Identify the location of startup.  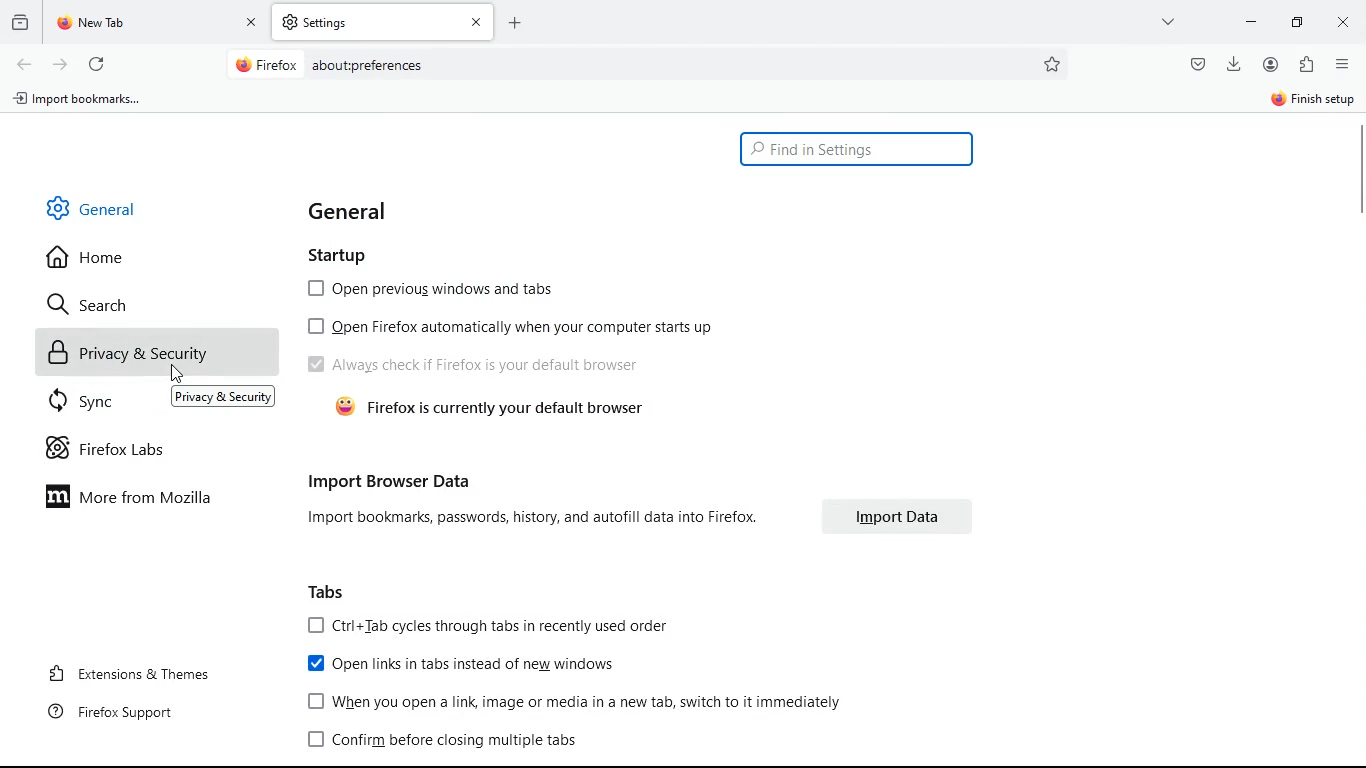
(340, 253).